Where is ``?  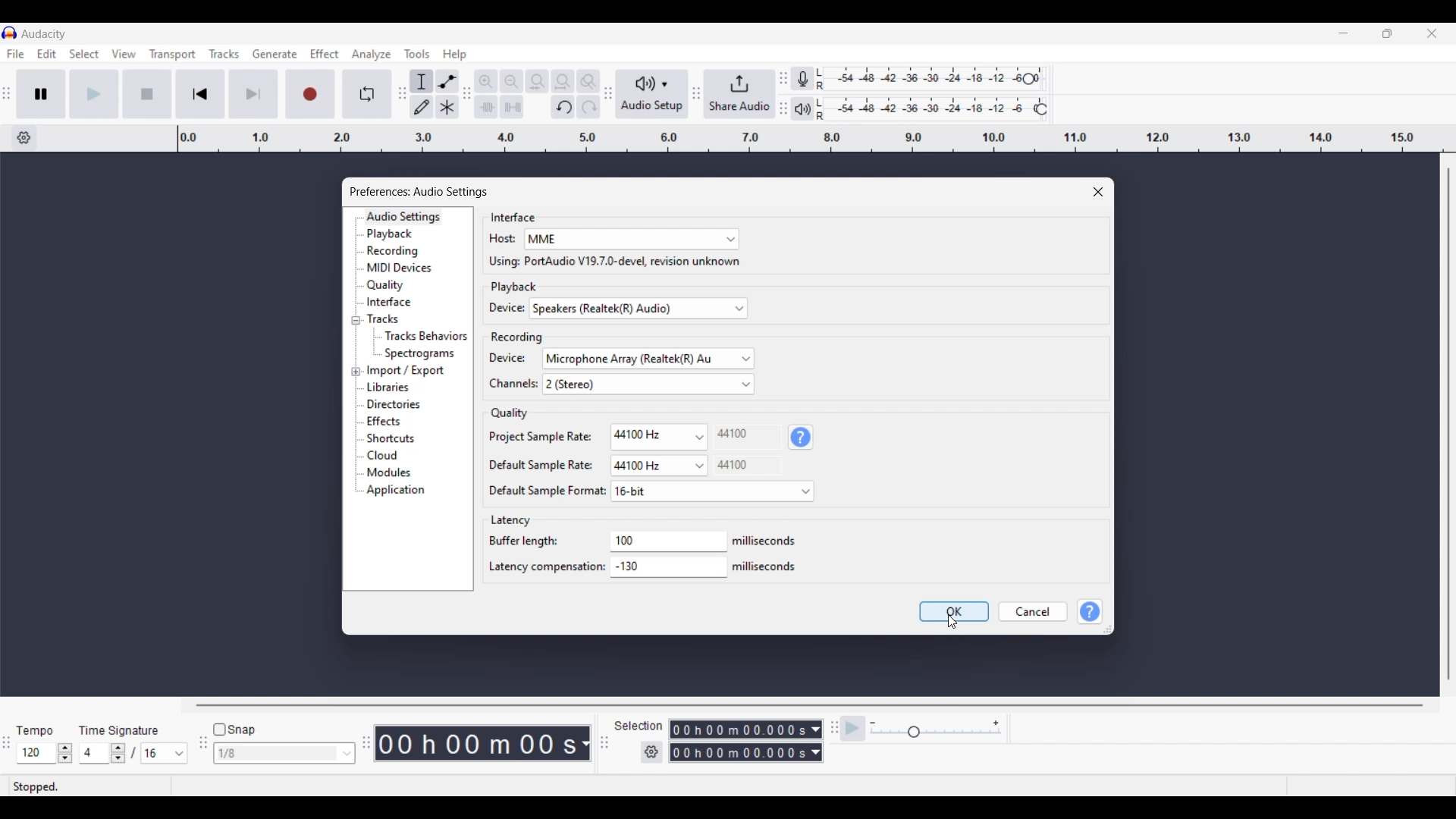  is located at coordinates (735, 465).